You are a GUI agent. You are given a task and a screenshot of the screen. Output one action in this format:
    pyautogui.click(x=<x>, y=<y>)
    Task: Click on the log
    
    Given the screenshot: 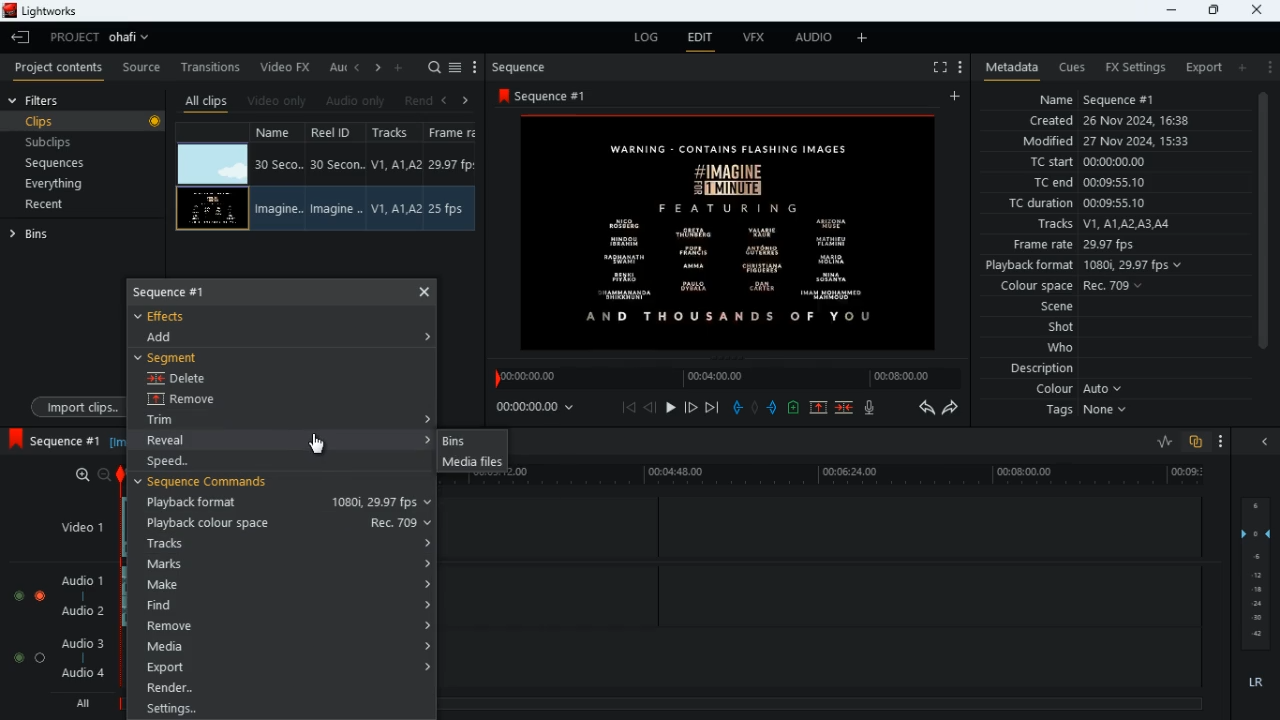 What is the action you would take?
    pyautogui.click(x=650, y=38)
    